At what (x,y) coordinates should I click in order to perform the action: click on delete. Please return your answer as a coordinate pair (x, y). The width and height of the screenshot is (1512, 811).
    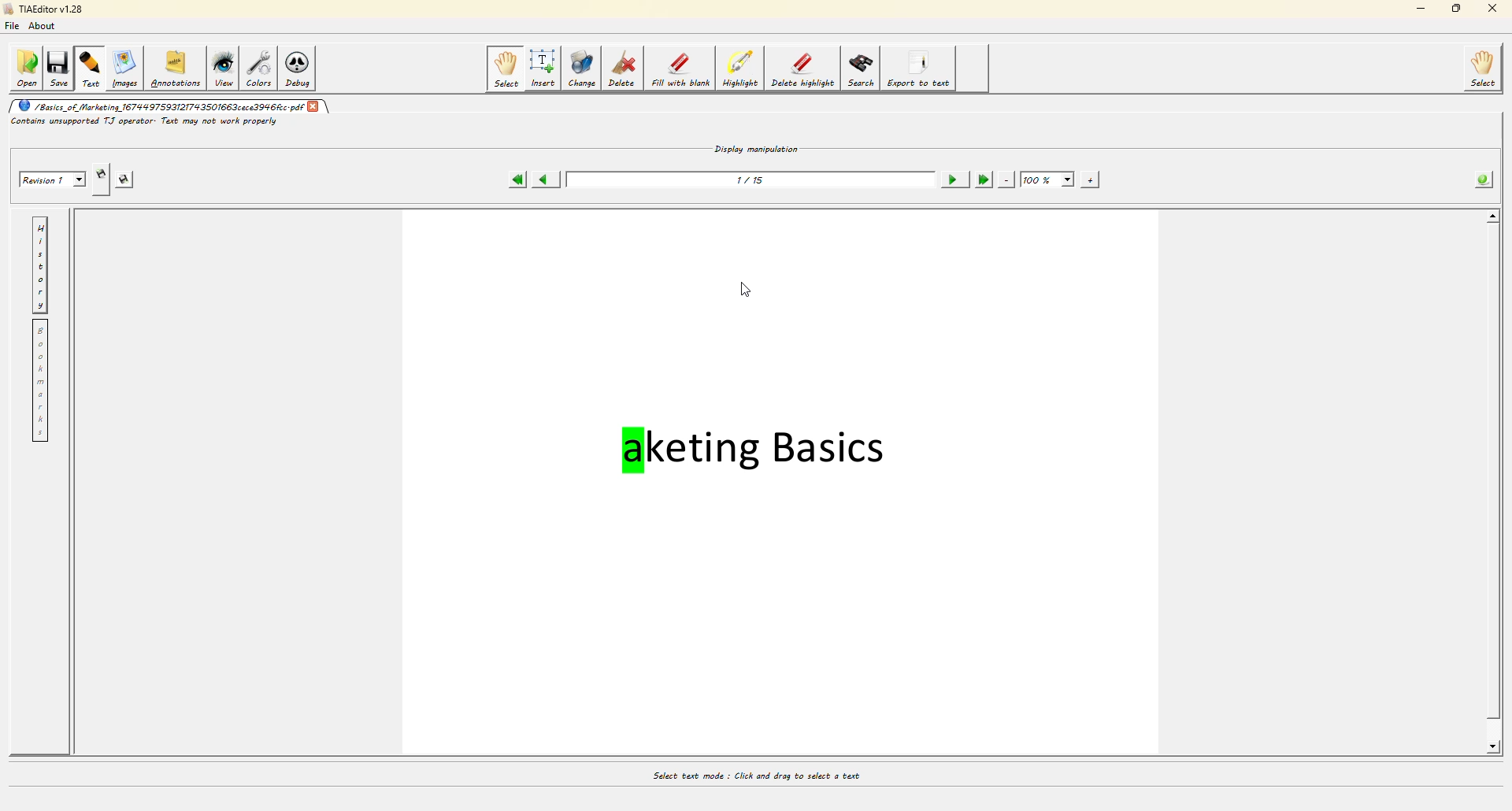
    Looking at the image, I should click on (621, 69).